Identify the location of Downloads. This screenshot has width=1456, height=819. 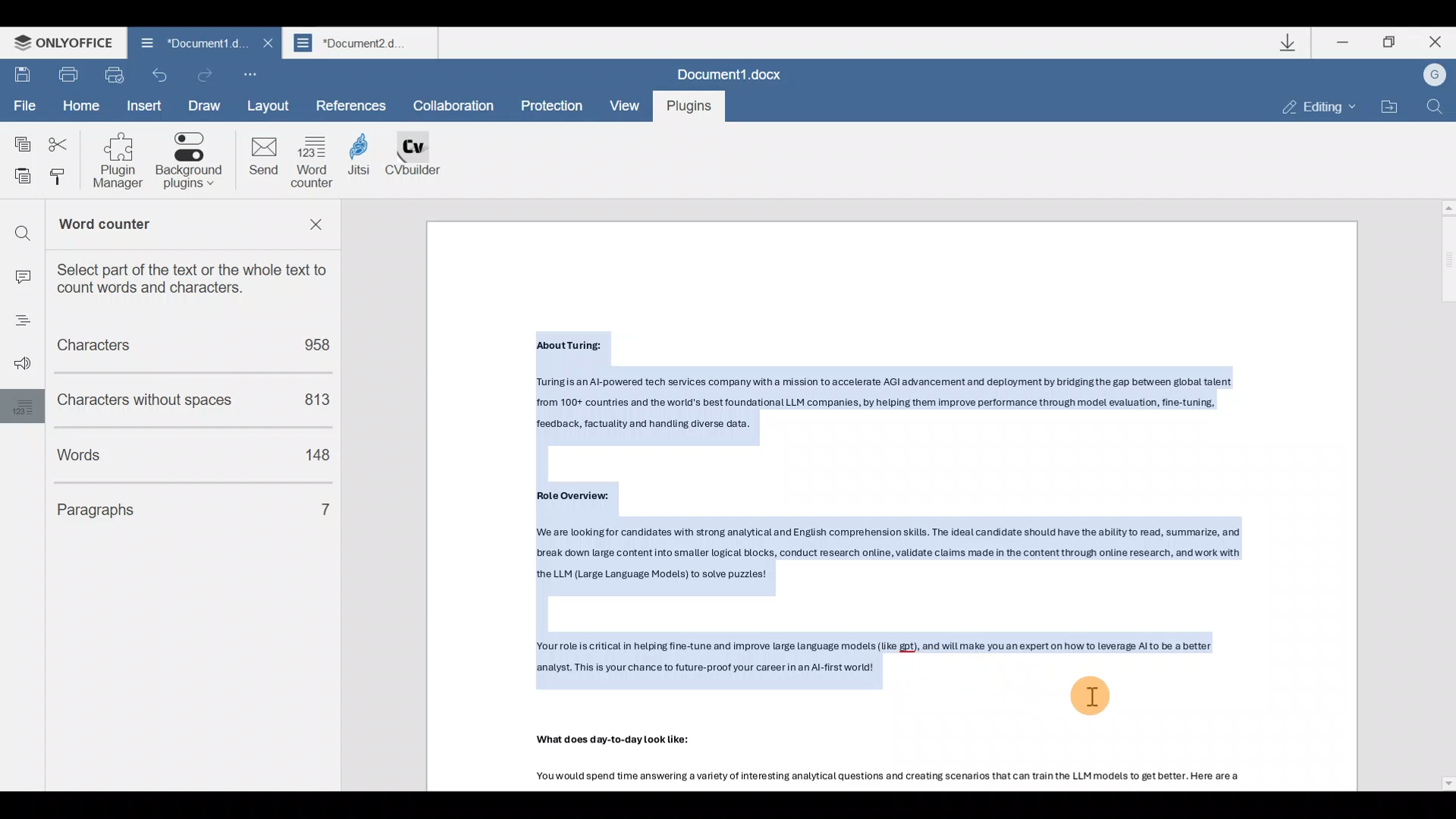
(1288, 42).